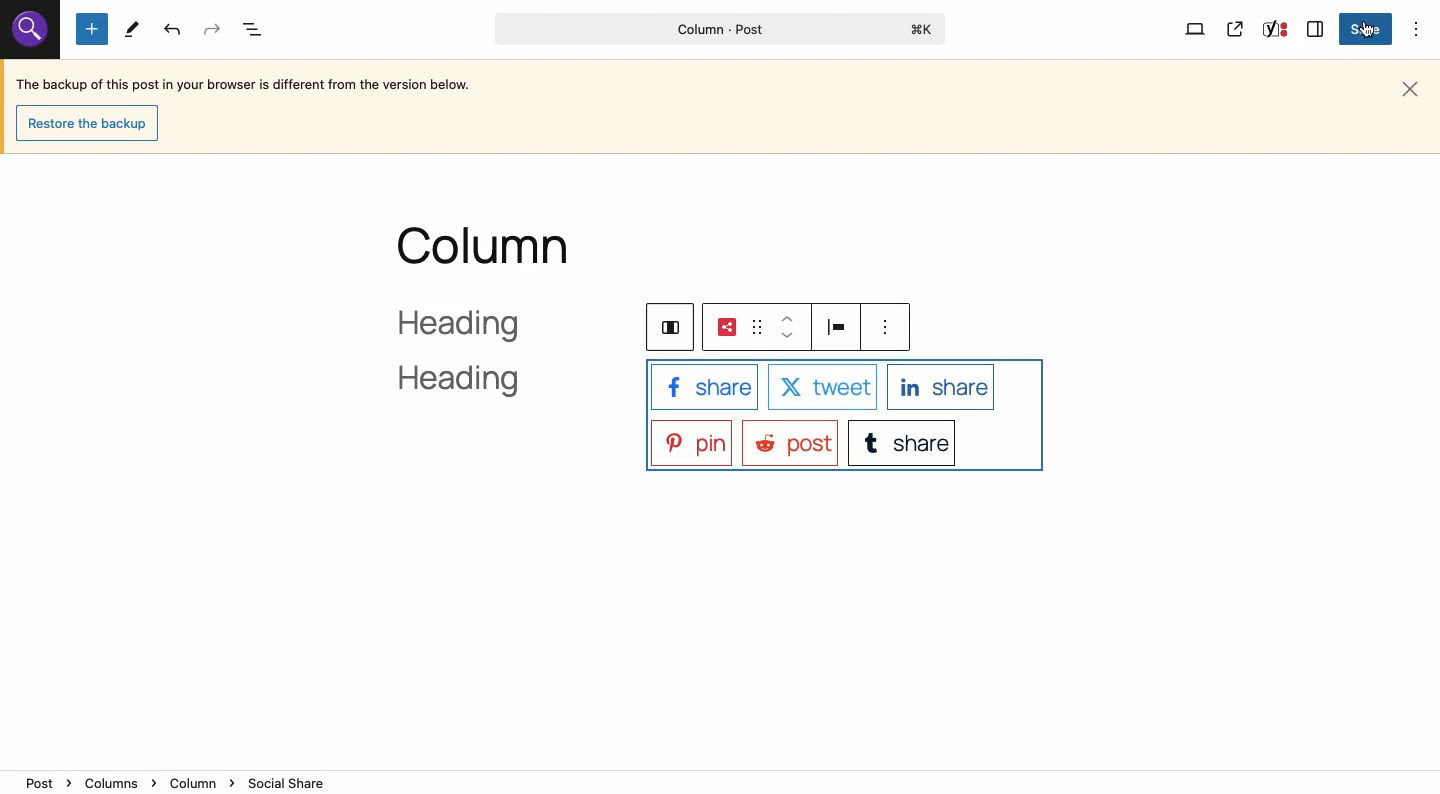 The height and width of the screenshot is (794, 1440). Describe the element at coordinates (840, 326) in the screenshot. I see `Justification` at that location.